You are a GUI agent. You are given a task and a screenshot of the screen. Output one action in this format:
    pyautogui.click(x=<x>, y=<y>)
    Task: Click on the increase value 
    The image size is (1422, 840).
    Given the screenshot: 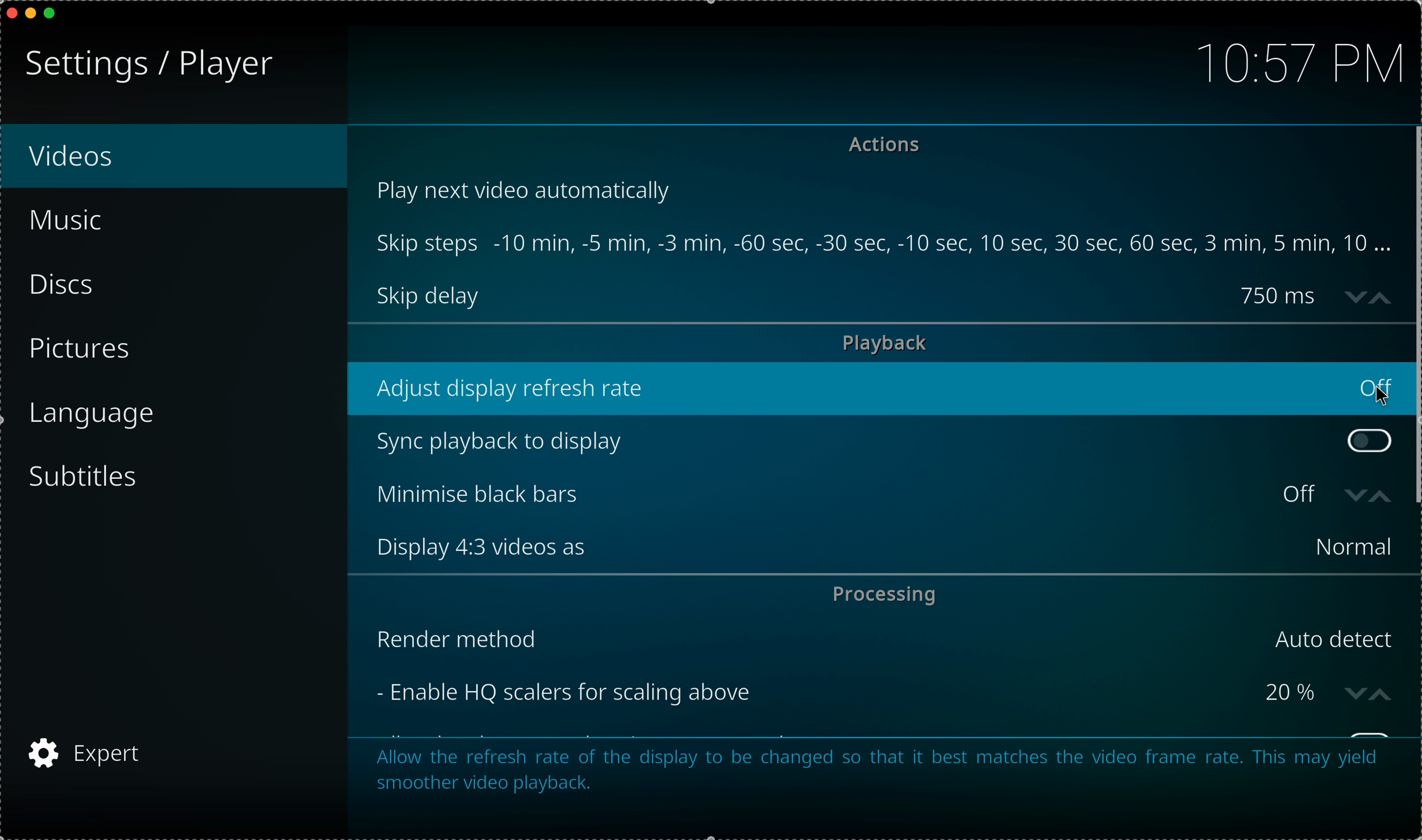 What is the action you would take?
    pyautogui.click(x=1385, y=294)
    